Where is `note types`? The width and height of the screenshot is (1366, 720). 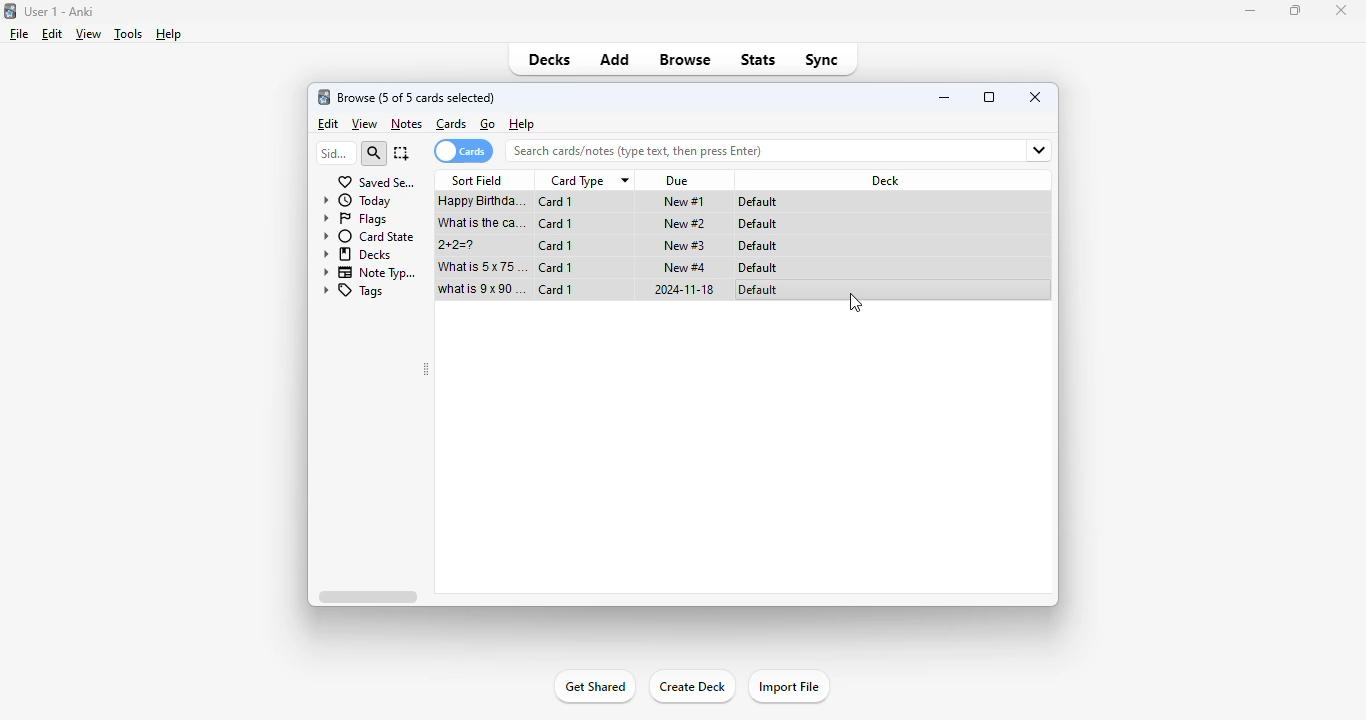 note types is located at coordinates (371, 273).